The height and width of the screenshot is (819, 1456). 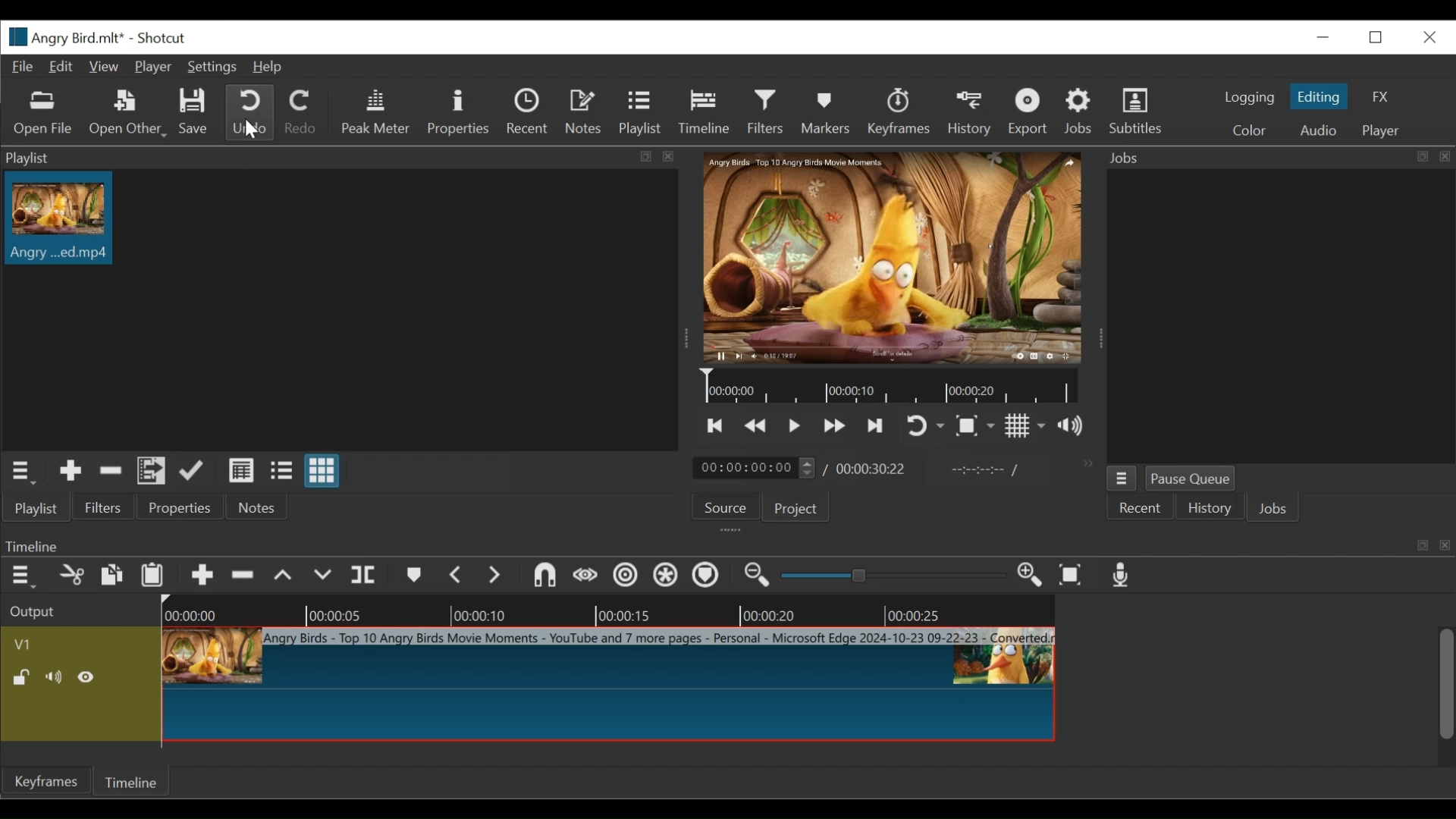 I want to click on Show display grid on player, so click(x=1026, y=425).